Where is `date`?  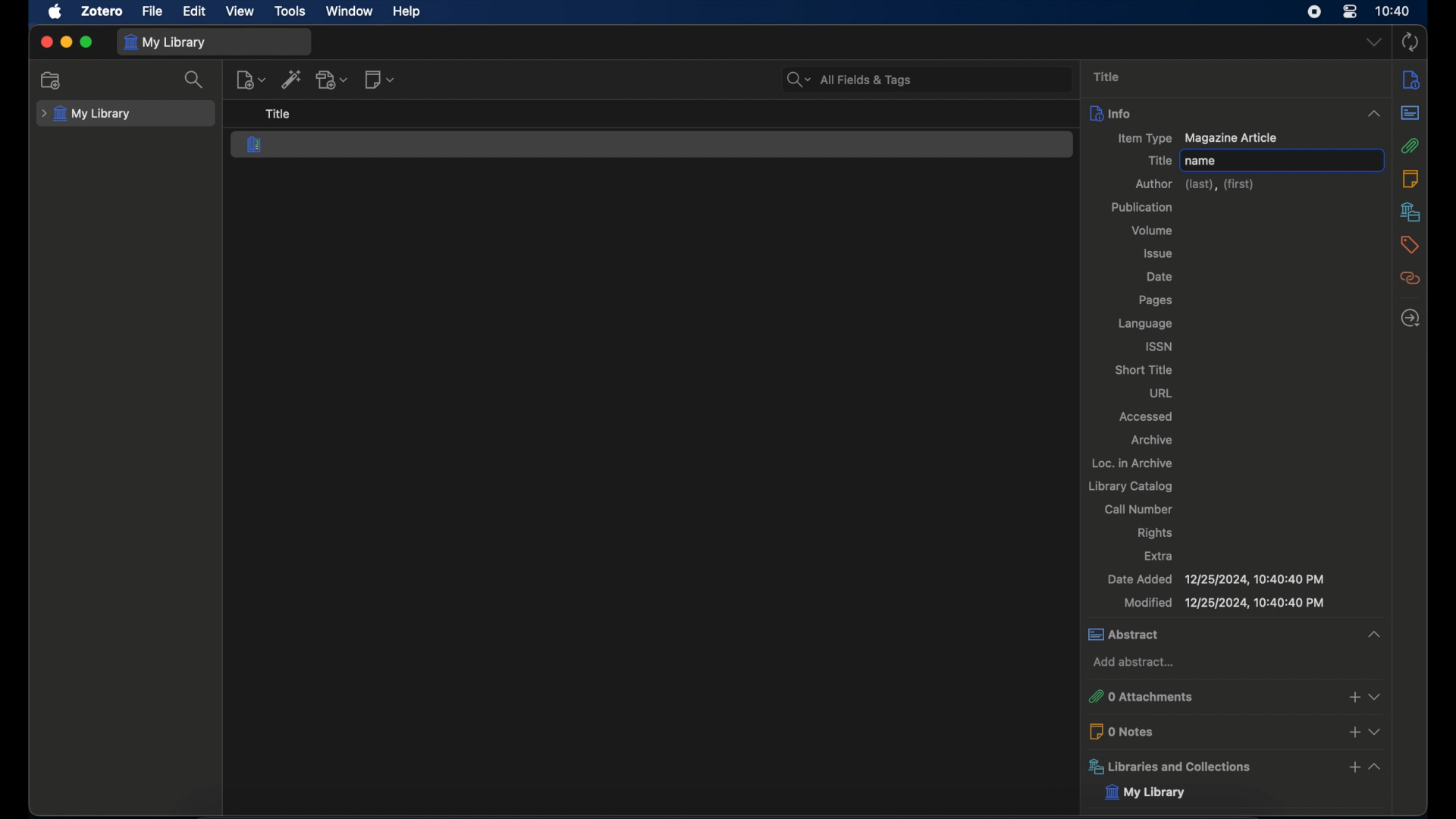
date is located at coordinates (1162, 277).